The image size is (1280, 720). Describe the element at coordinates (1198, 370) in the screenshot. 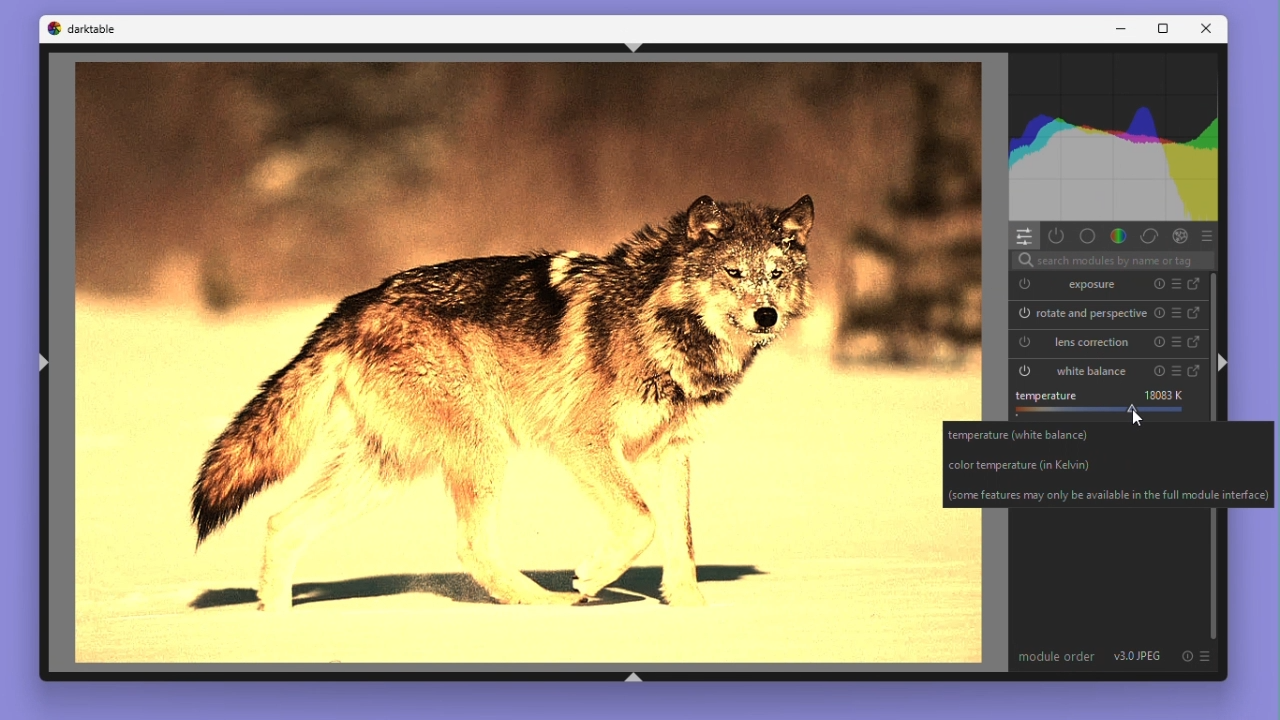

I see `Go to full version of white balance` at that location.